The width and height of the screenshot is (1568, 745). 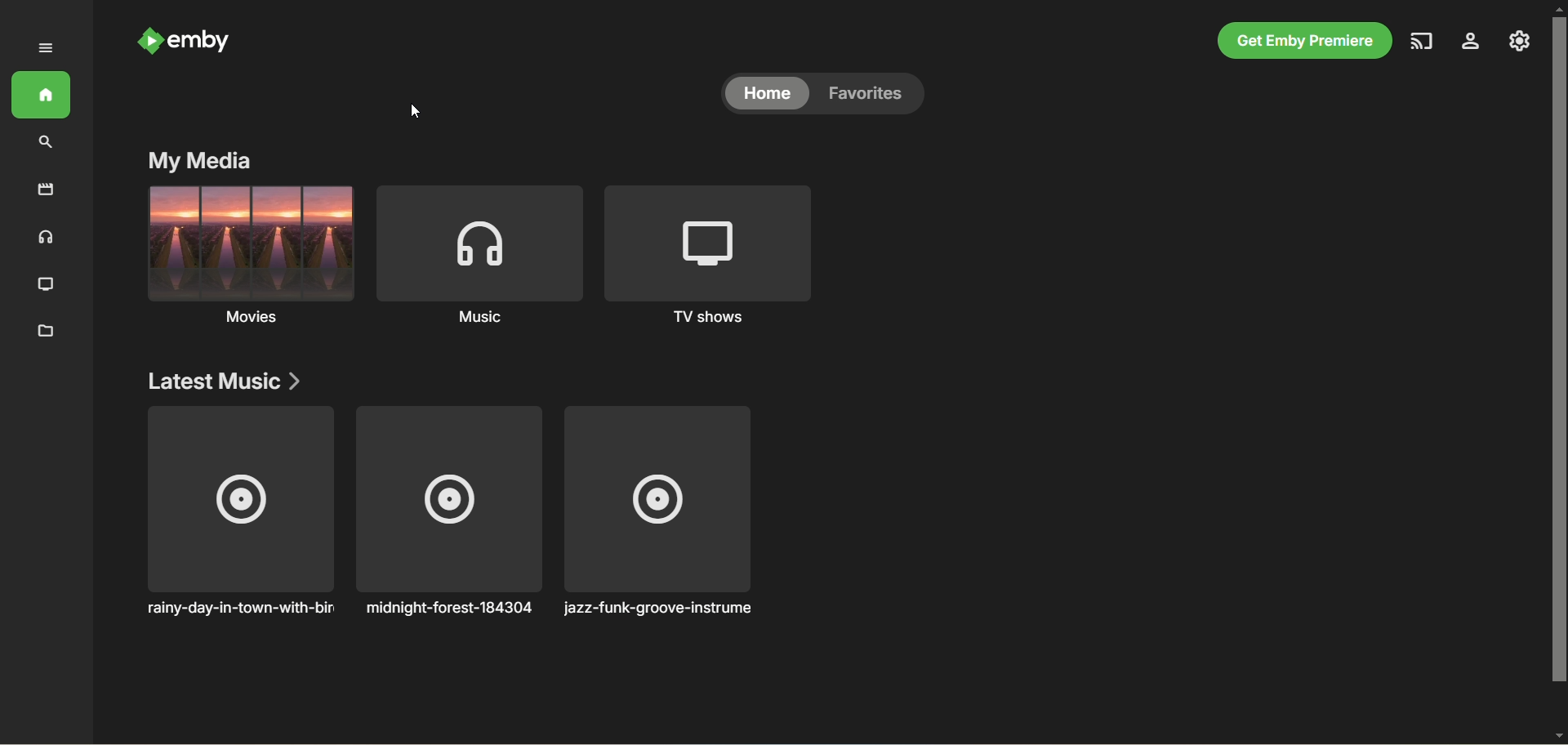 I want to click on search, so click(x=42, y=141).